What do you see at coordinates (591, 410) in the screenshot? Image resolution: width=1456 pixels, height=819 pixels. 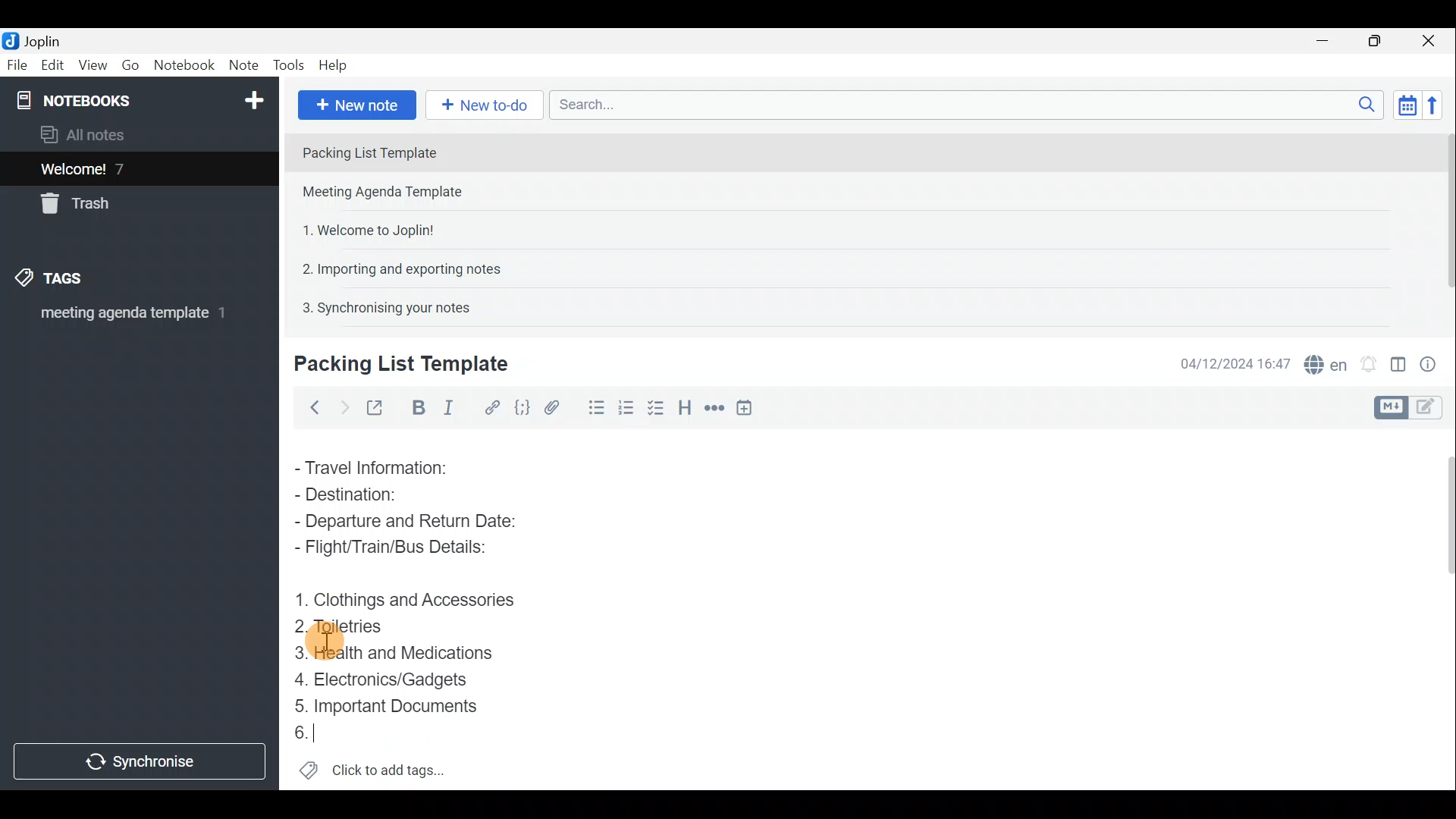 I see `Bulleted list` at bounding box center [591, 410].